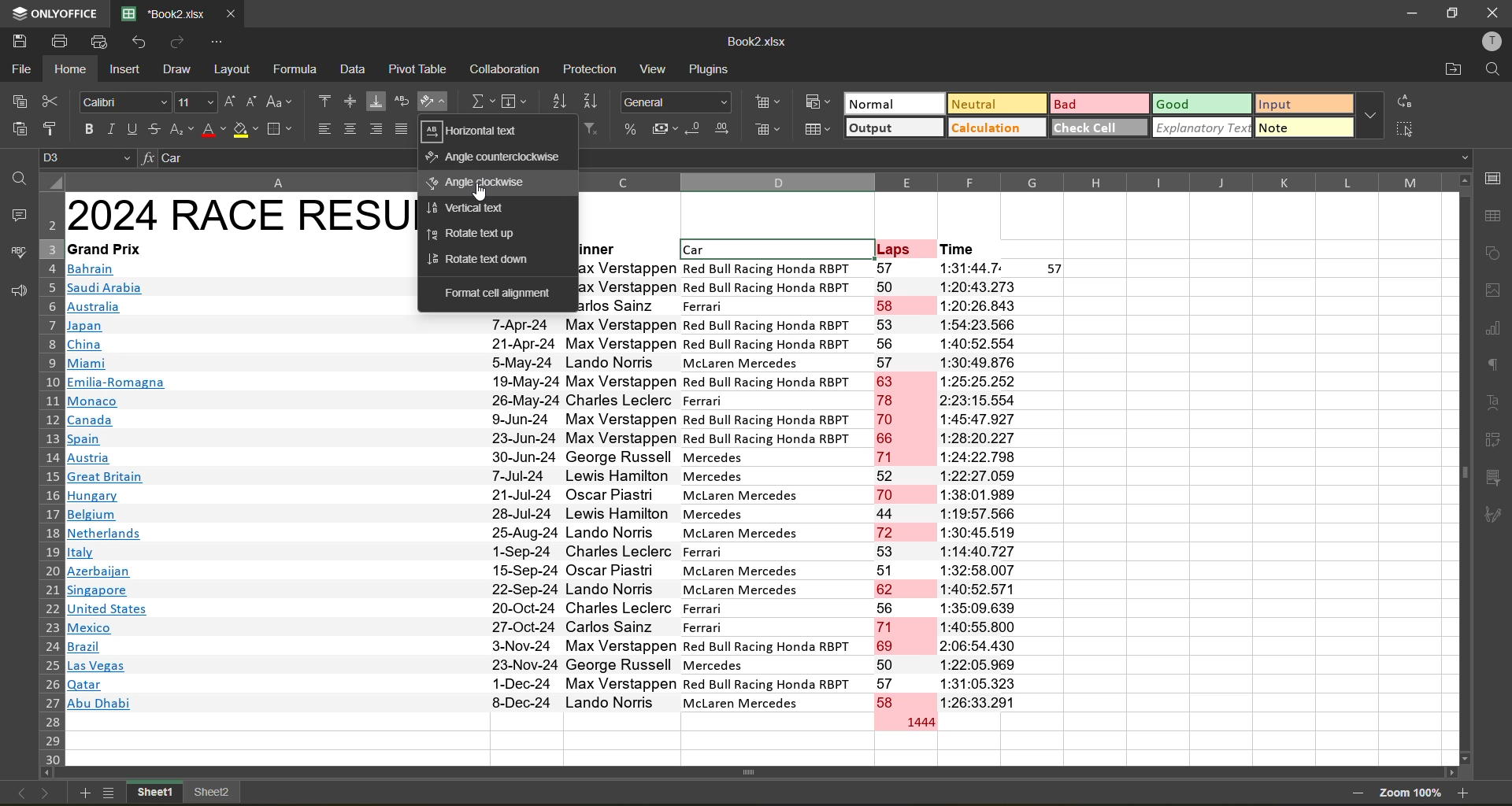 This screenshot has width=1512, height=806. I want to click on align left, so click(324, 128).